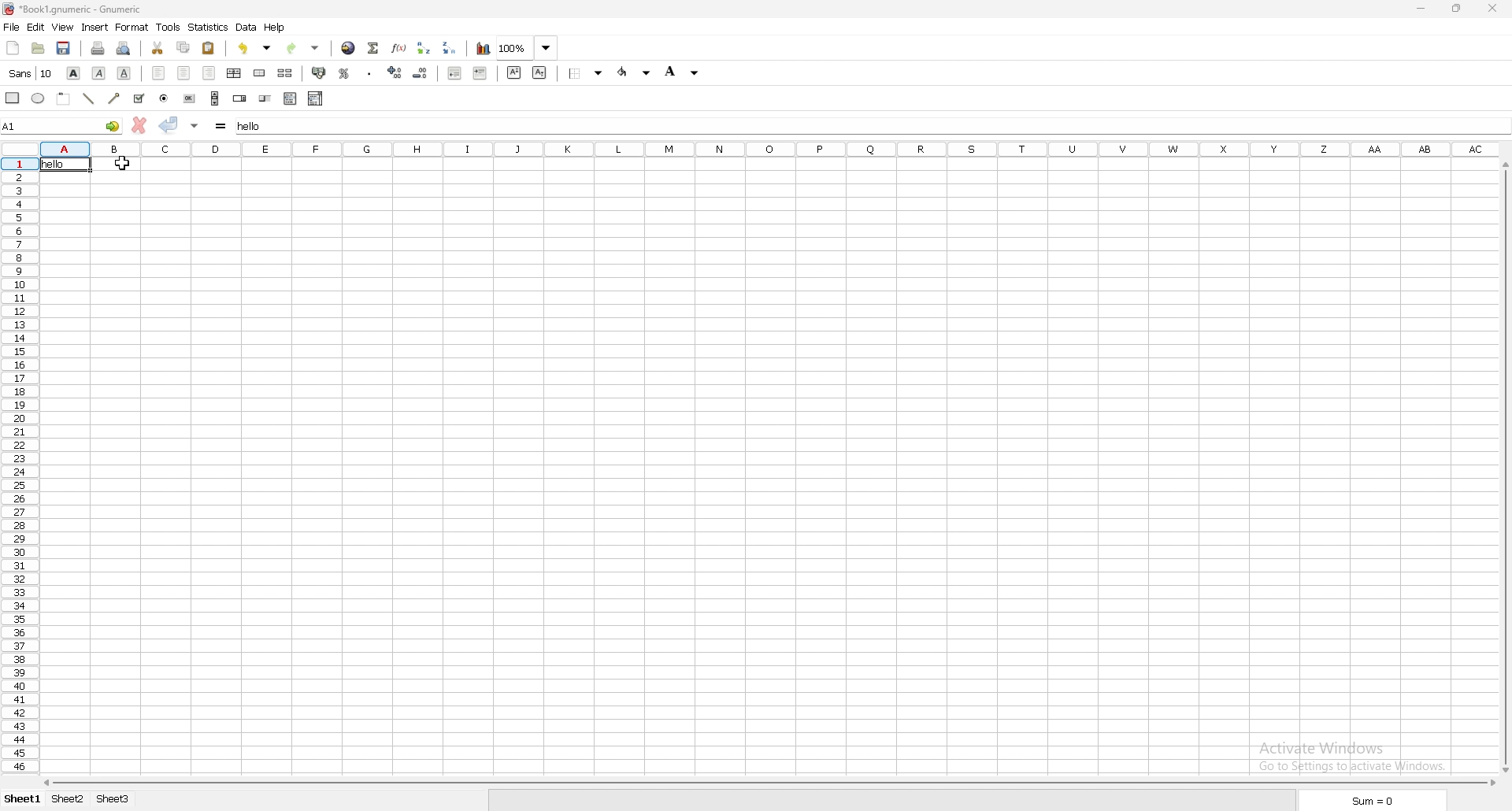 The height and width of the screenshot is (811, 1512). Describe the element at coordinates (112, 799) in the screenshot. I see `tab` at that location.